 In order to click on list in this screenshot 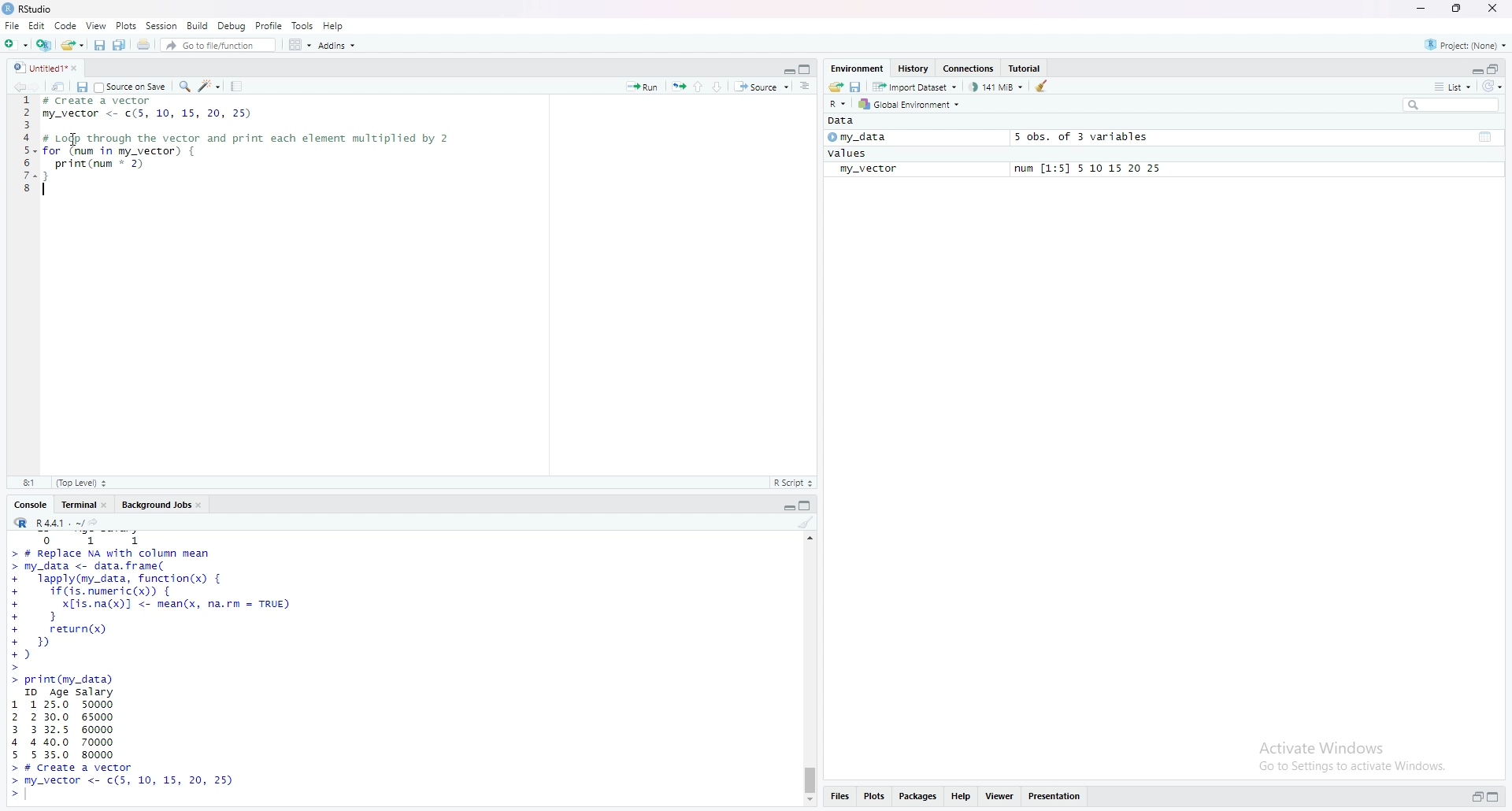, I will do `click(1453, 88)`.